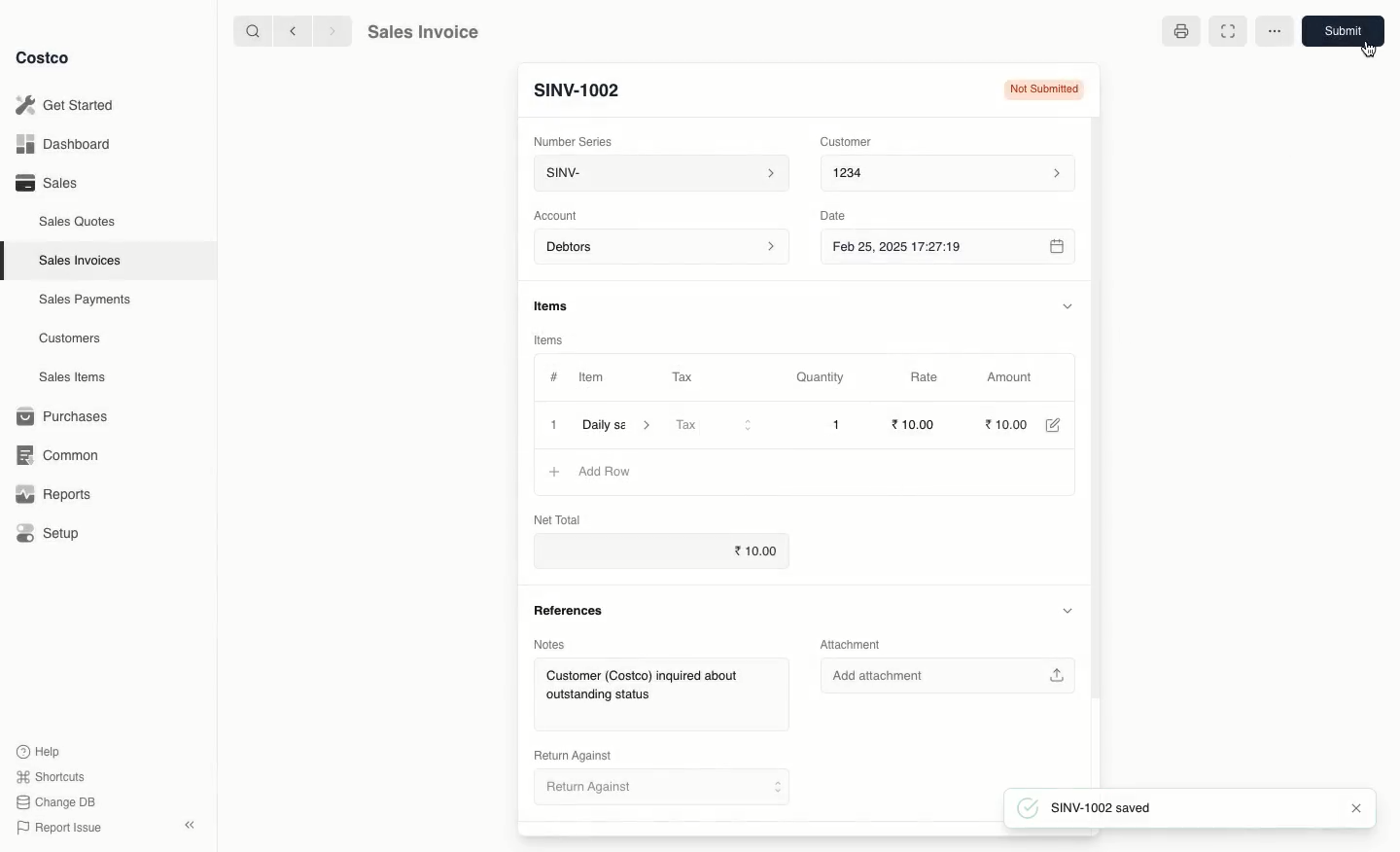 Image resolution: width=1400 pixels, height=852 pixels. I want to click on Reports, so click(53, 496).